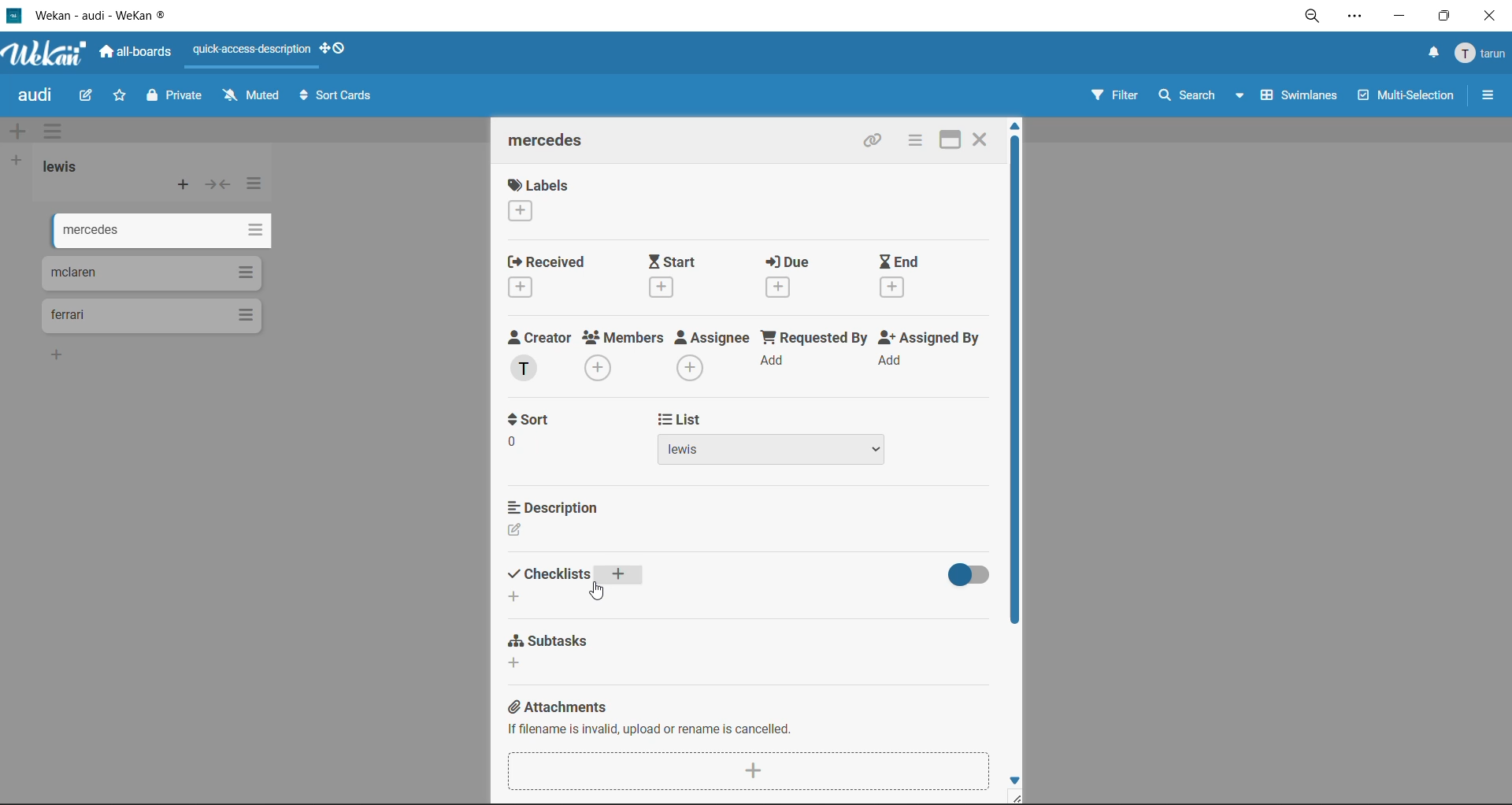 The width and height of the screenshot is (1512, 805). What do you see at coordinates (816, 354) in the screenshot?
I see `requested by` at bounding box center [816, 354].